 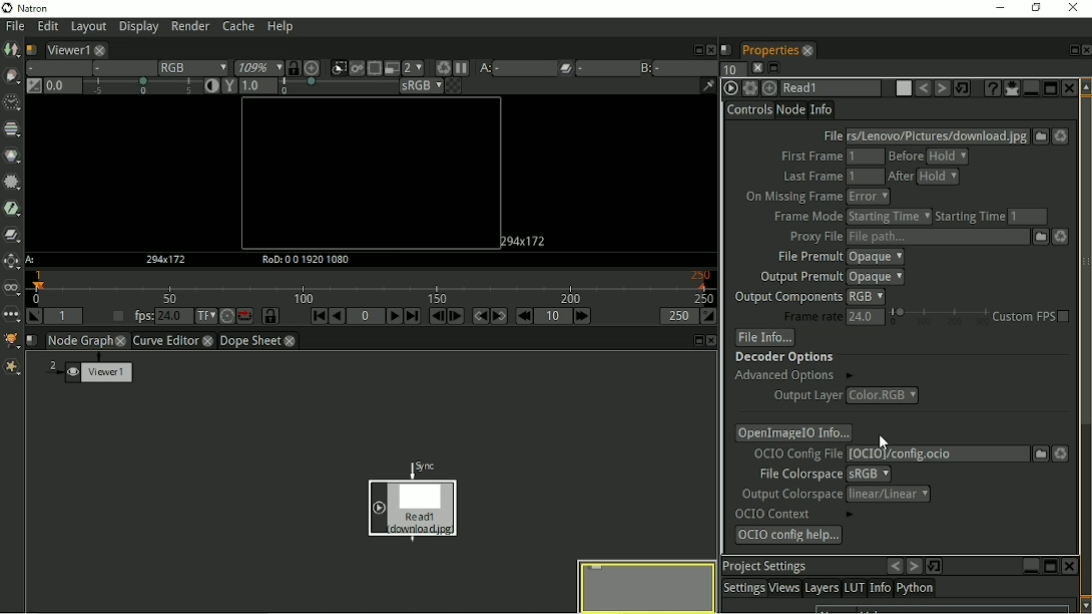 What do you see at coordinates (12, 207) in the screenshot?
I see `Keyer` at bounding box center [12, 207].